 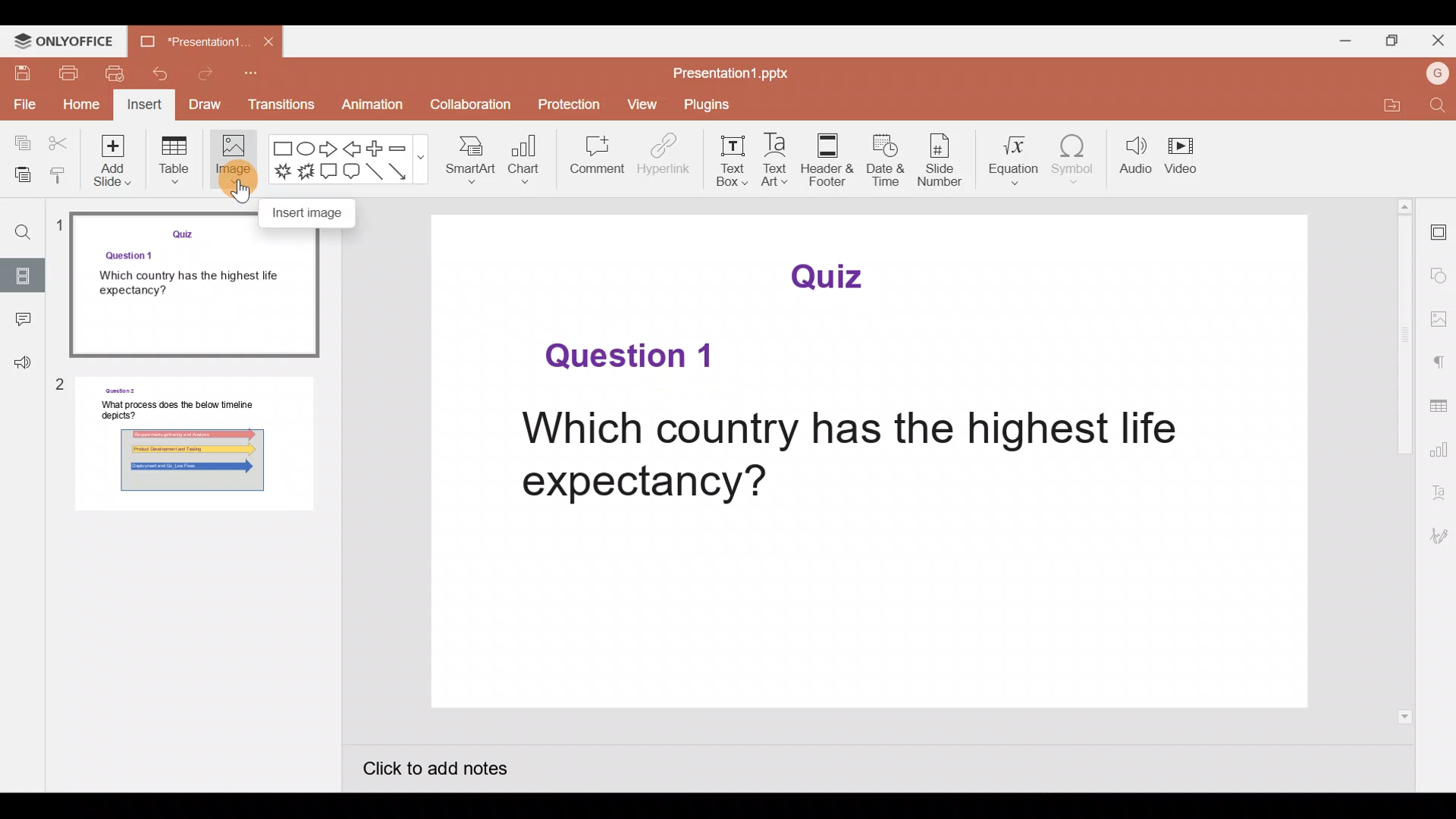 What do you see at coordinates (700, 105) in the screenshot?
I see `Plugins` at bounding box center [700, 105].